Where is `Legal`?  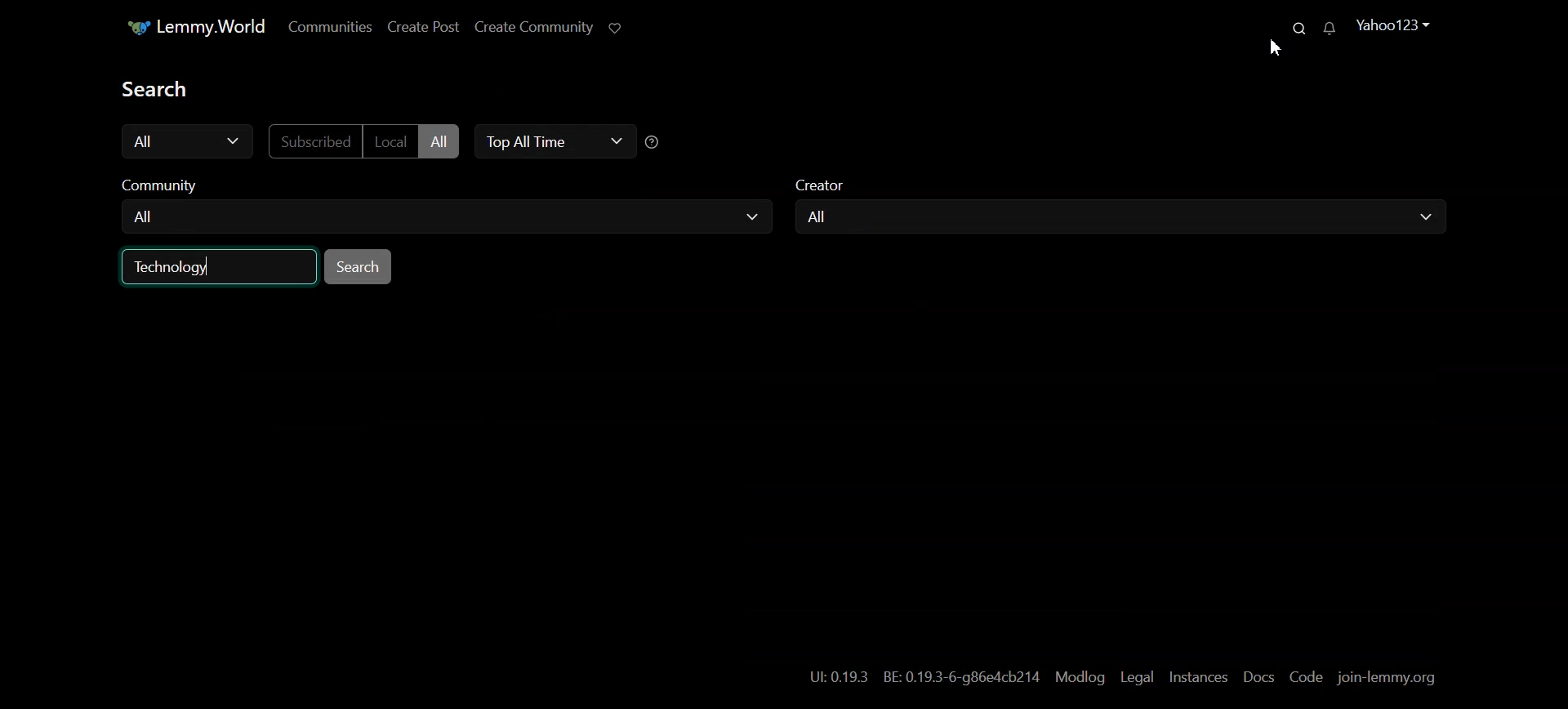 Legal is located at coordinates (1136, 676).